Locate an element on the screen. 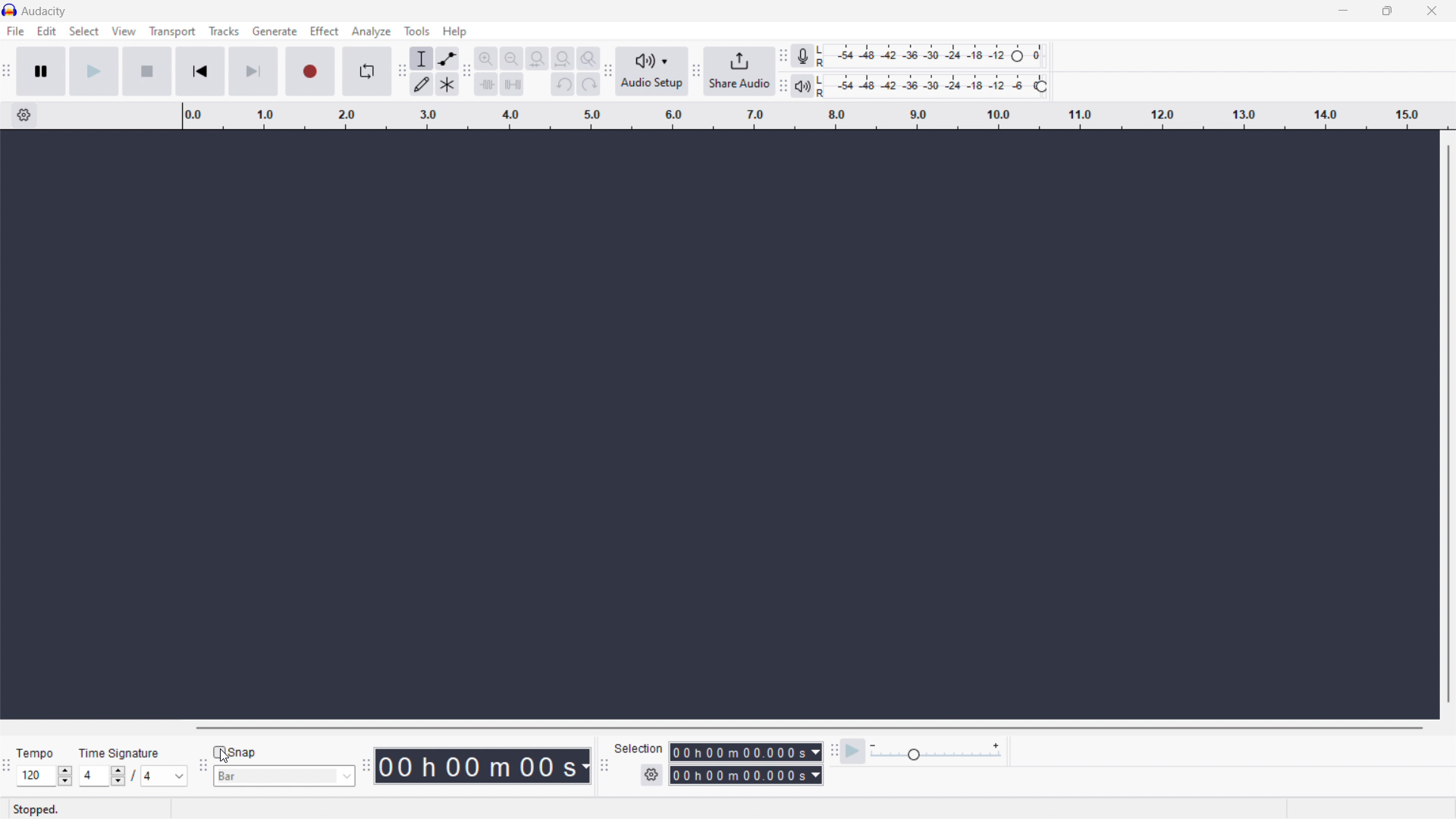  silence audio selection is located at coordinates (511, 85).